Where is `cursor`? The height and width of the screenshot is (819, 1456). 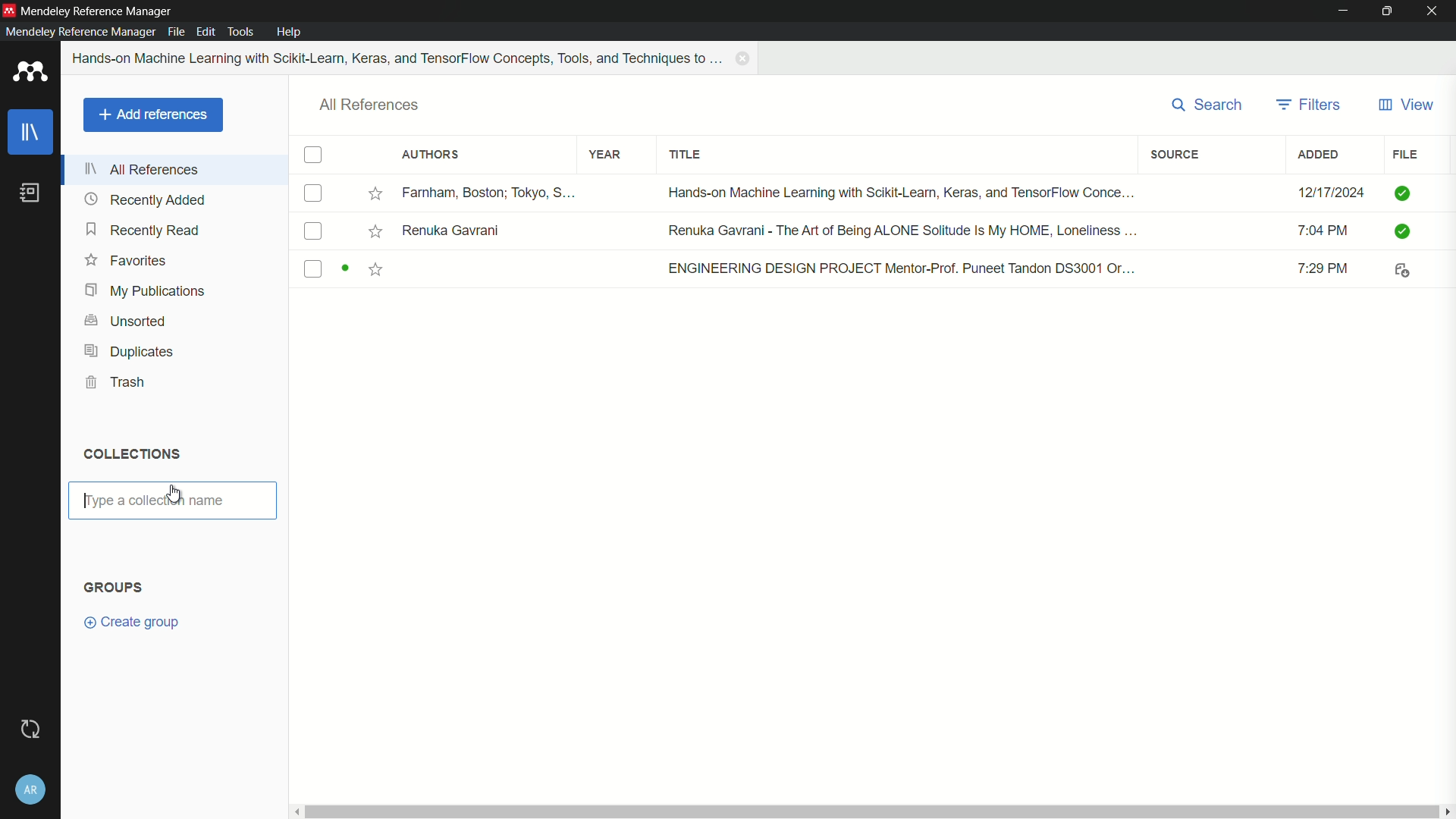 cursor is located at coordinates (176, 494).